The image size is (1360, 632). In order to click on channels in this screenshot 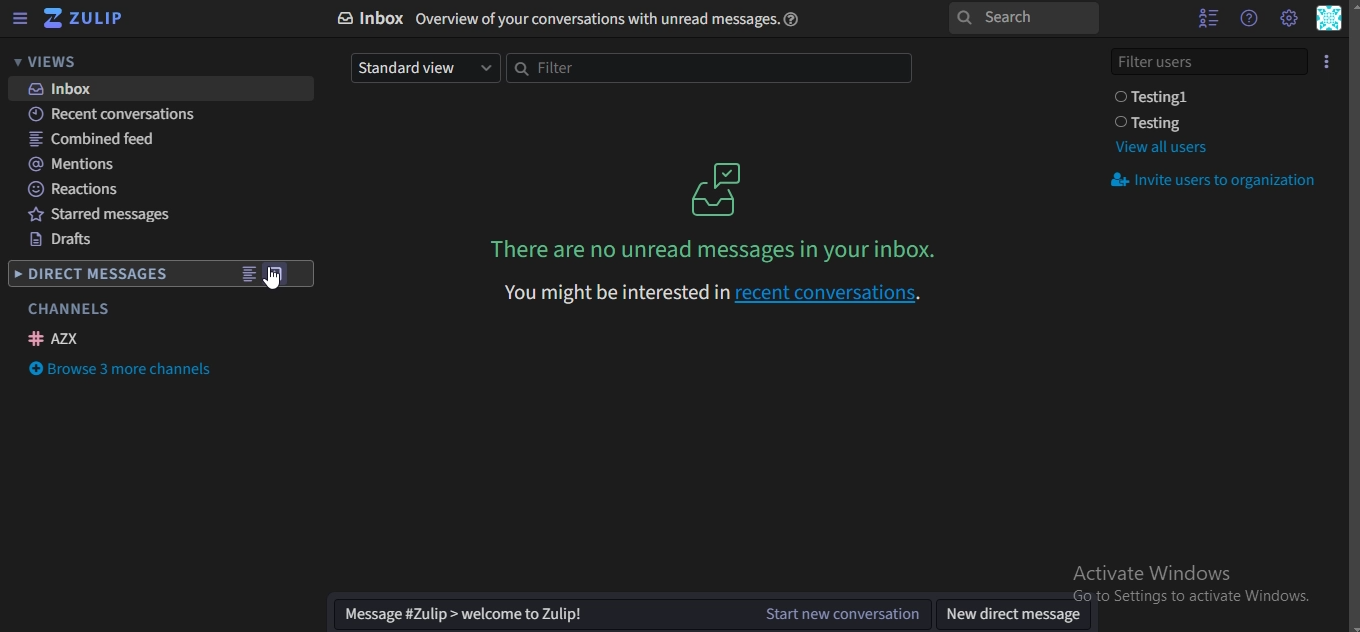, I will do `click(68, 309)`.